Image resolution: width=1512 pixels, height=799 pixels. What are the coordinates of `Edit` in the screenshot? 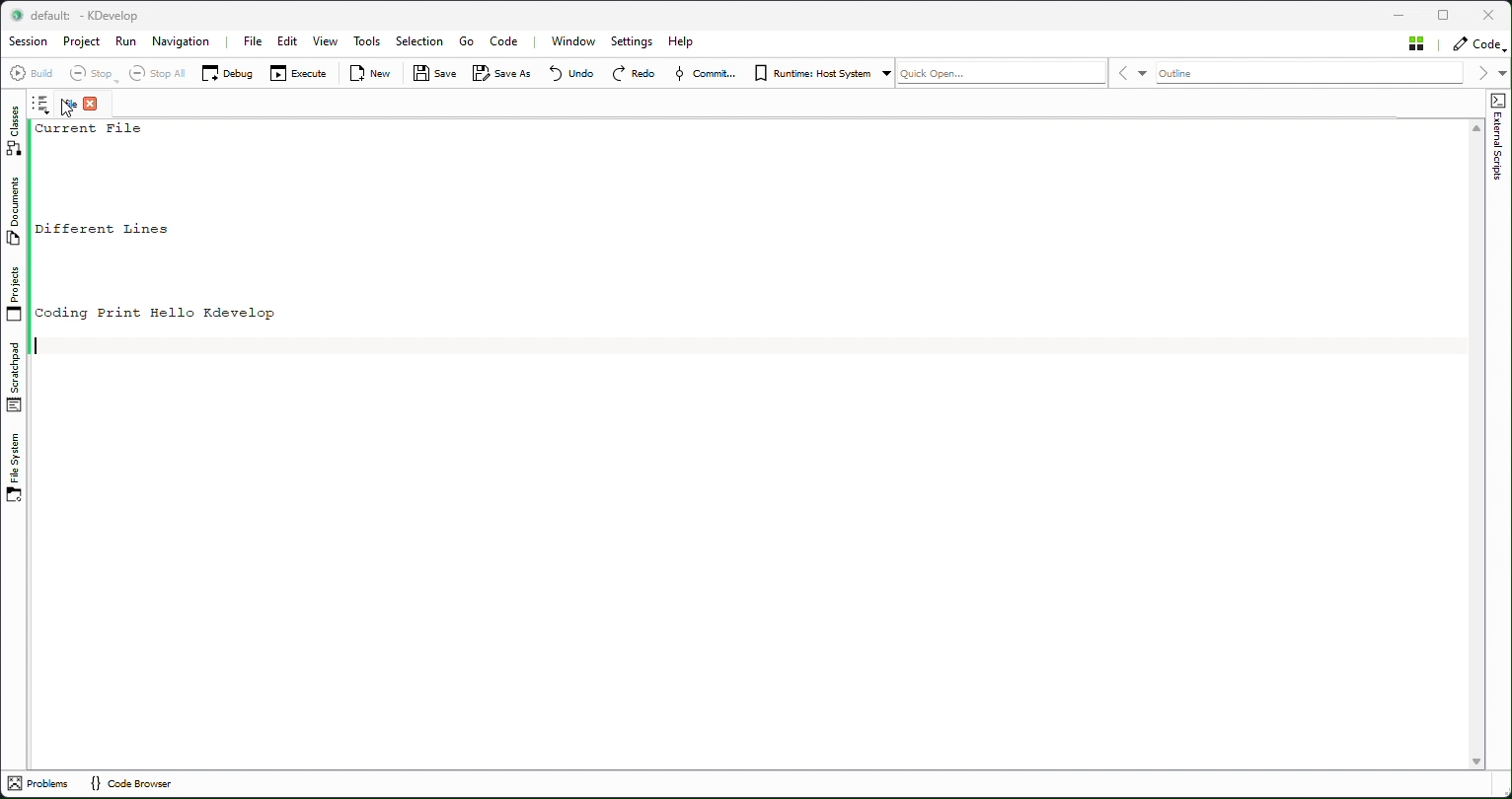 It's located at (287, 41).